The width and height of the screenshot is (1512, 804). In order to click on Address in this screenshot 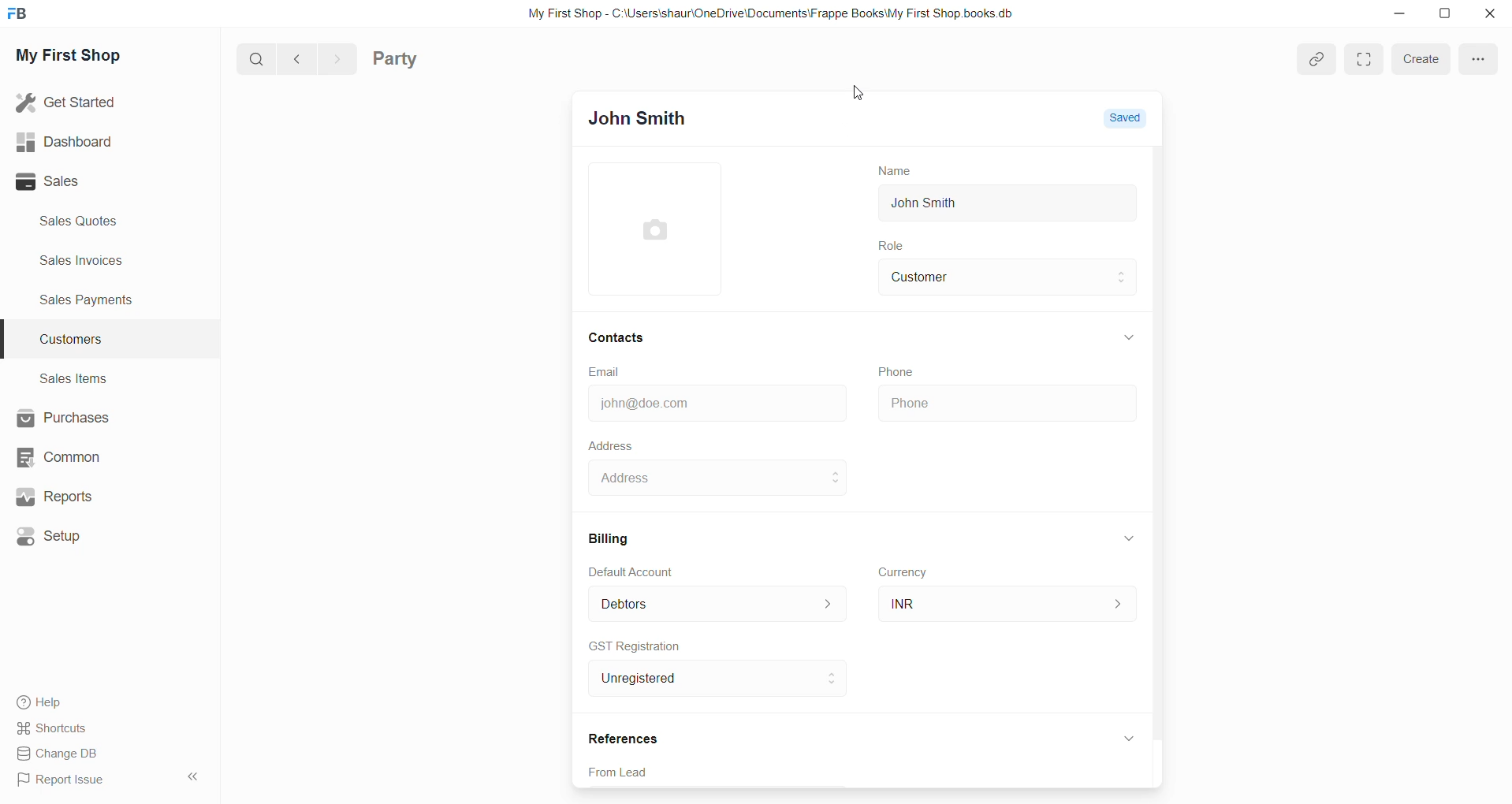, I will do `click(702, 479)`.